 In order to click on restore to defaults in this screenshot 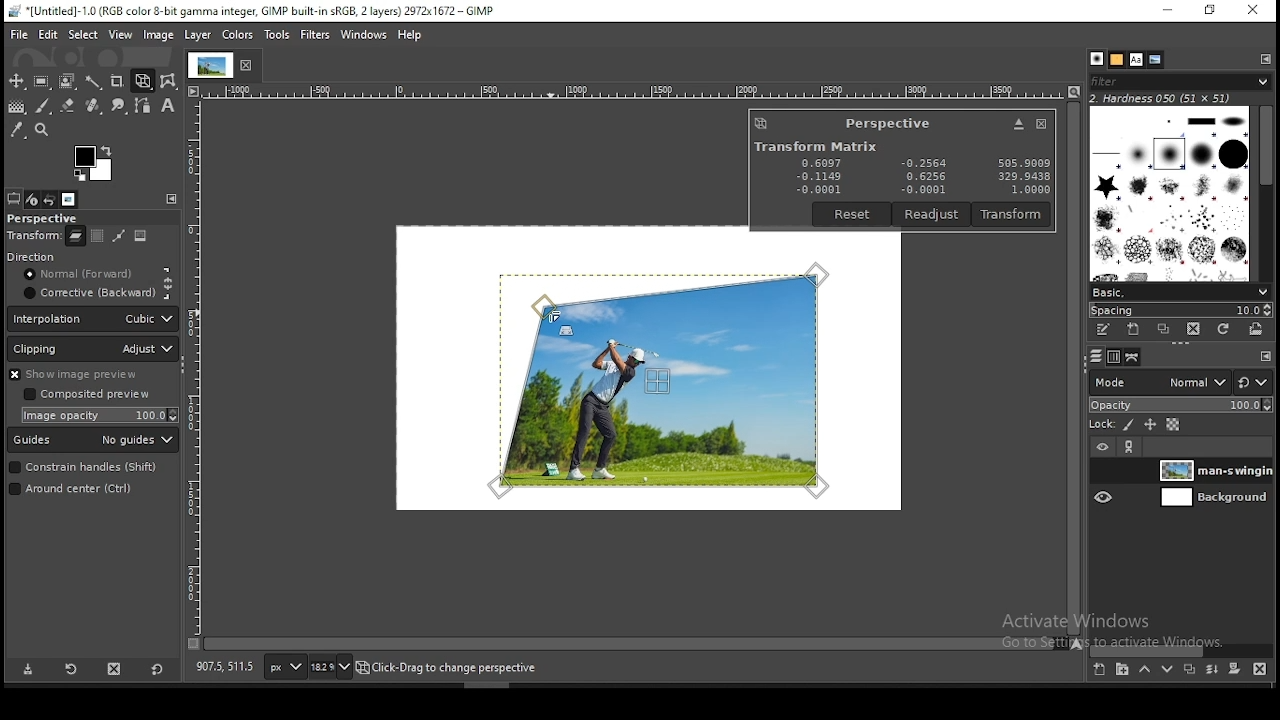, I will do `click(156, 668)`.